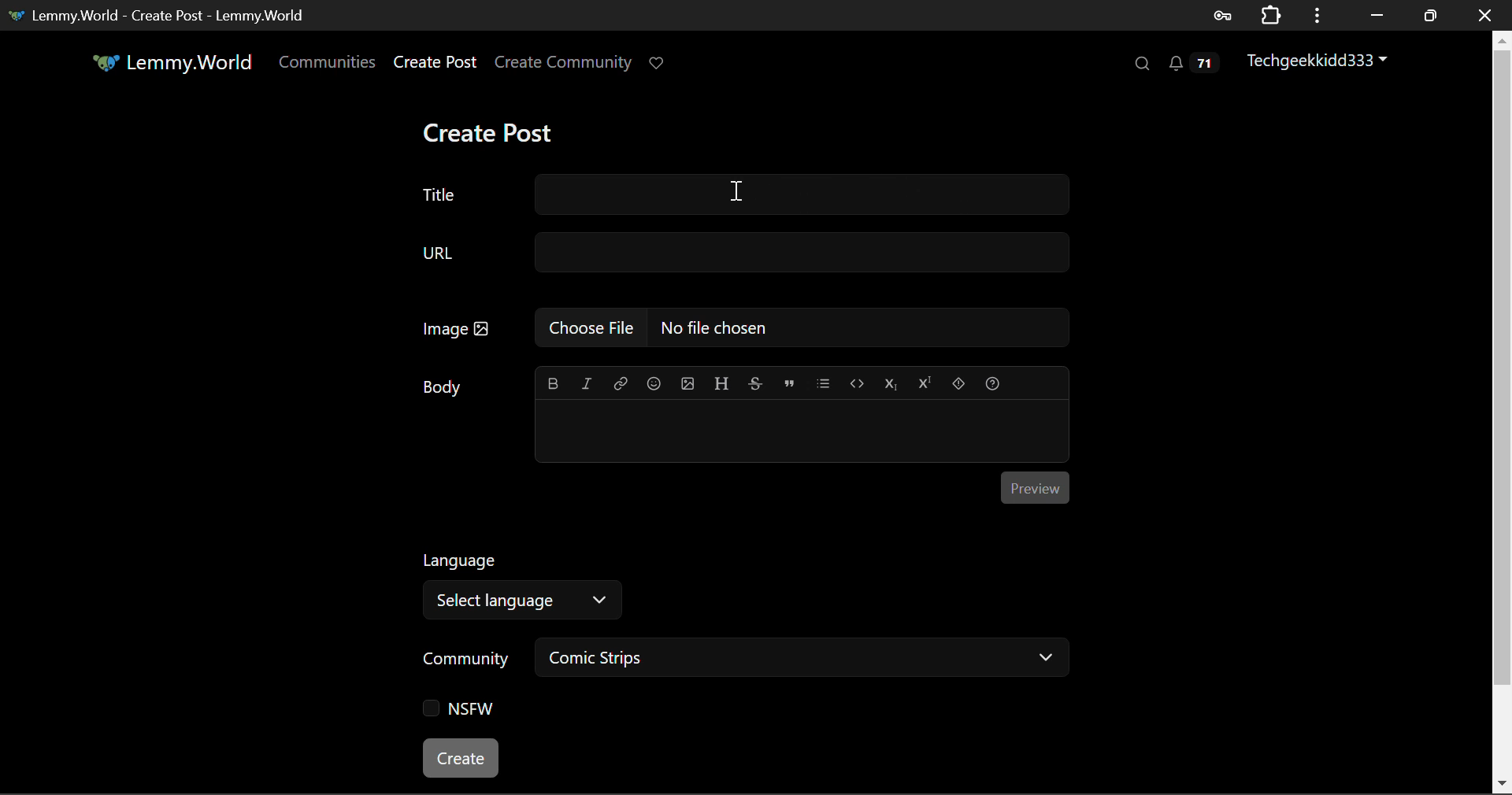 This screenshot has width=1512, height=795. I want to click on italic, so click(589, 379).